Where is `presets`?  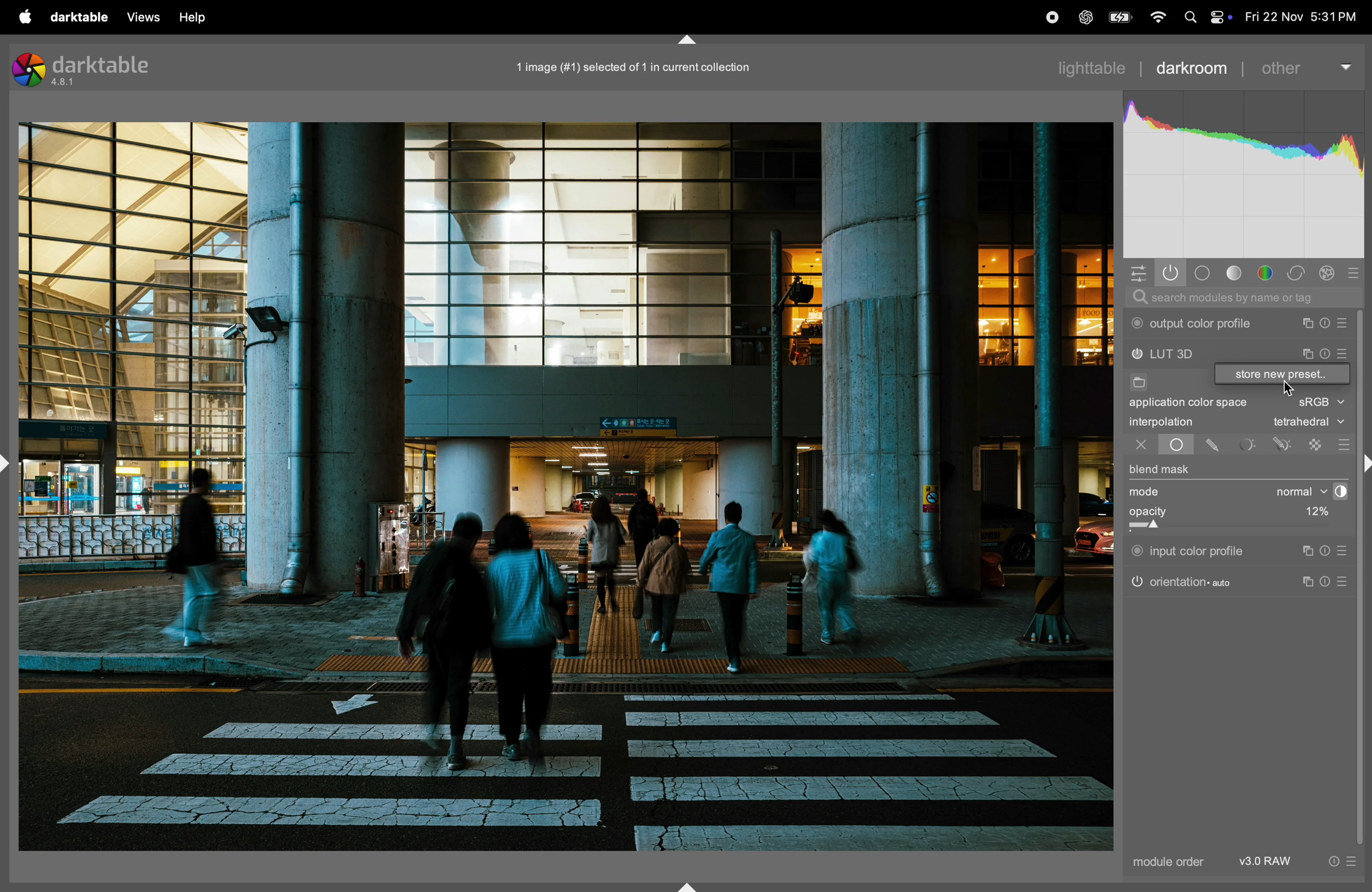 presets is located at coordinates (1346, 582).